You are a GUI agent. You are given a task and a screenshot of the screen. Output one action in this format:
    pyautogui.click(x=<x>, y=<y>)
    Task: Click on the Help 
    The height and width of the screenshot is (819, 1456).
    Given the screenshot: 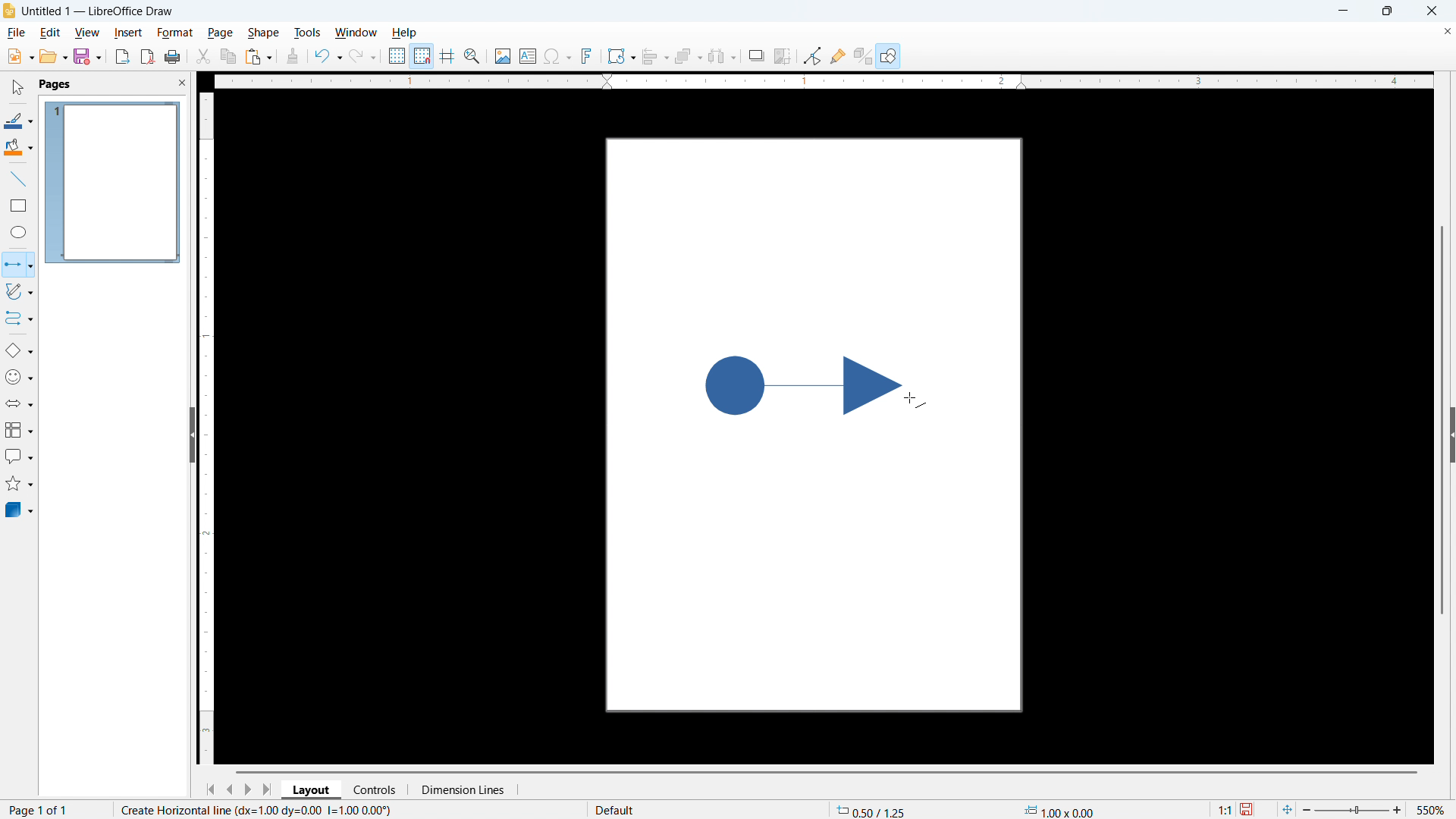 What is the action you would take?
    pyautogui.click(x=403, y=33)
    